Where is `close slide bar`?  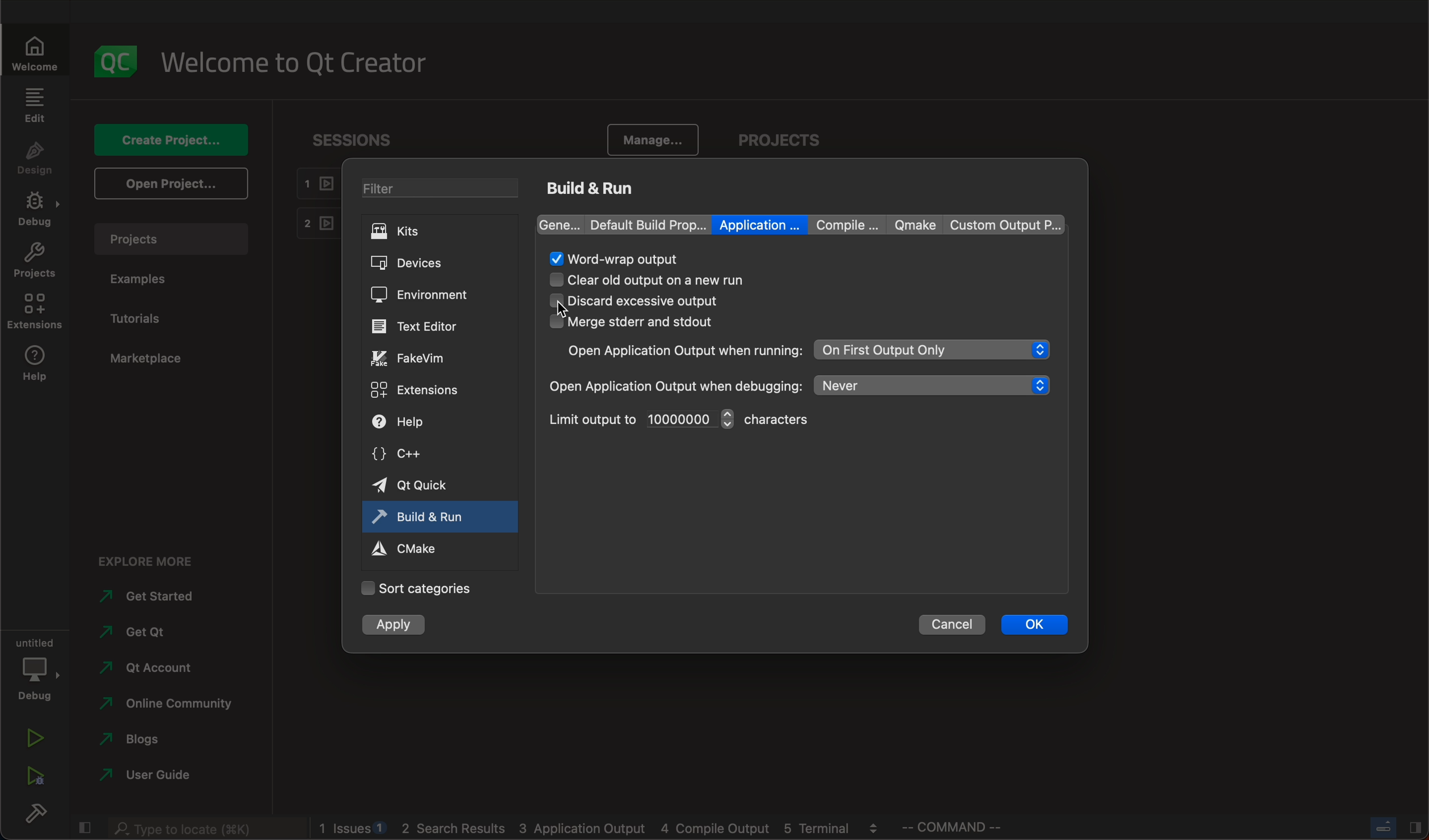 close slide bar is located at coordinates (1394, 826).